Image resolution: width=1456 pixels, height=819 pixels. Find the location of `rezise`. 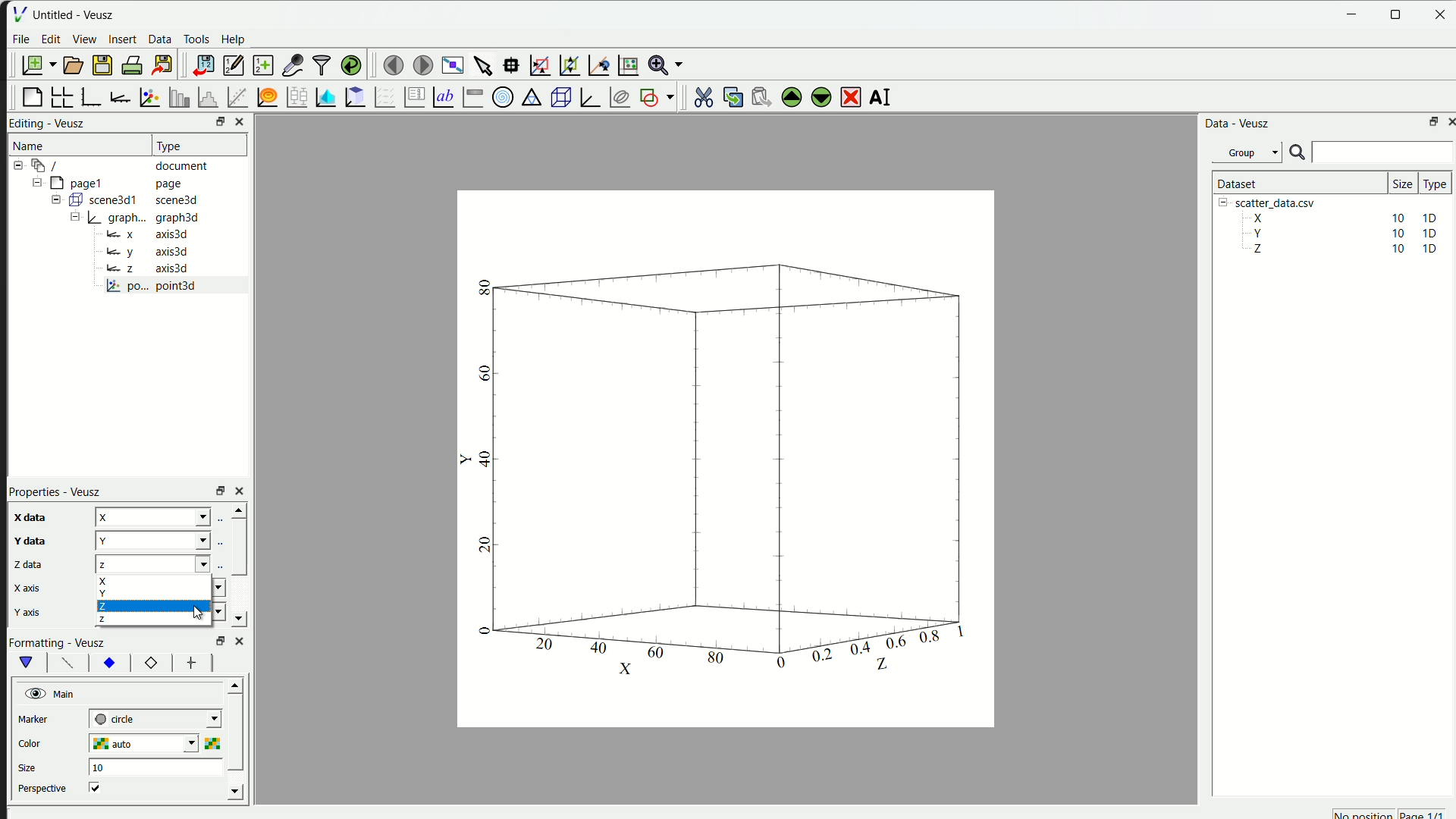

rezise is located at coordinates (218, 490).